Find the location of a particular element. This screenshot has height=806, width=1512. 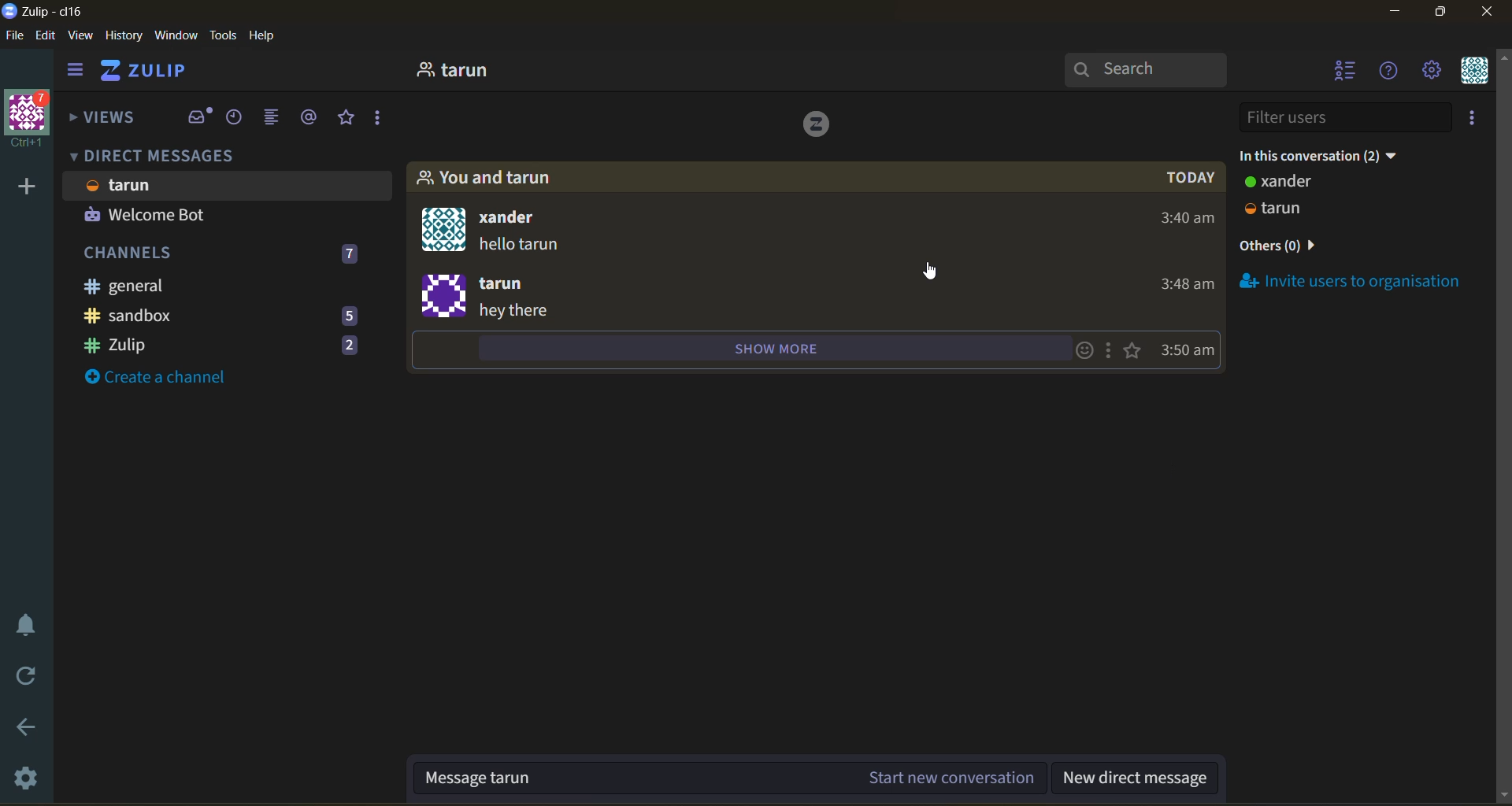

user 2 is located at coordinates (151, 217).